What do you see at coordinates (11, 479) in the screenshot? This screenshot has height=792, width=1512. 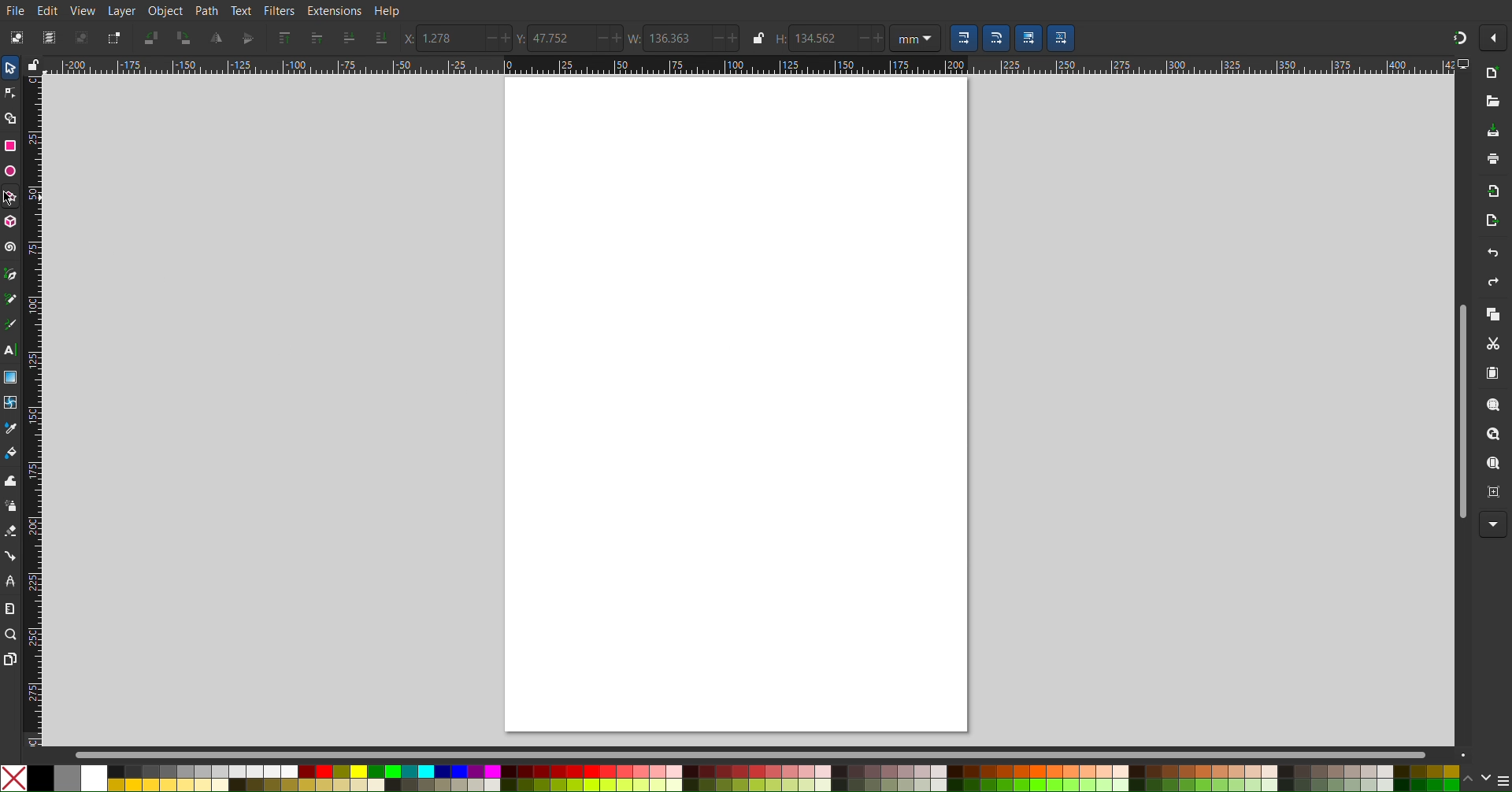 I see `Tweak Tool` at bounding box center [11, 479].